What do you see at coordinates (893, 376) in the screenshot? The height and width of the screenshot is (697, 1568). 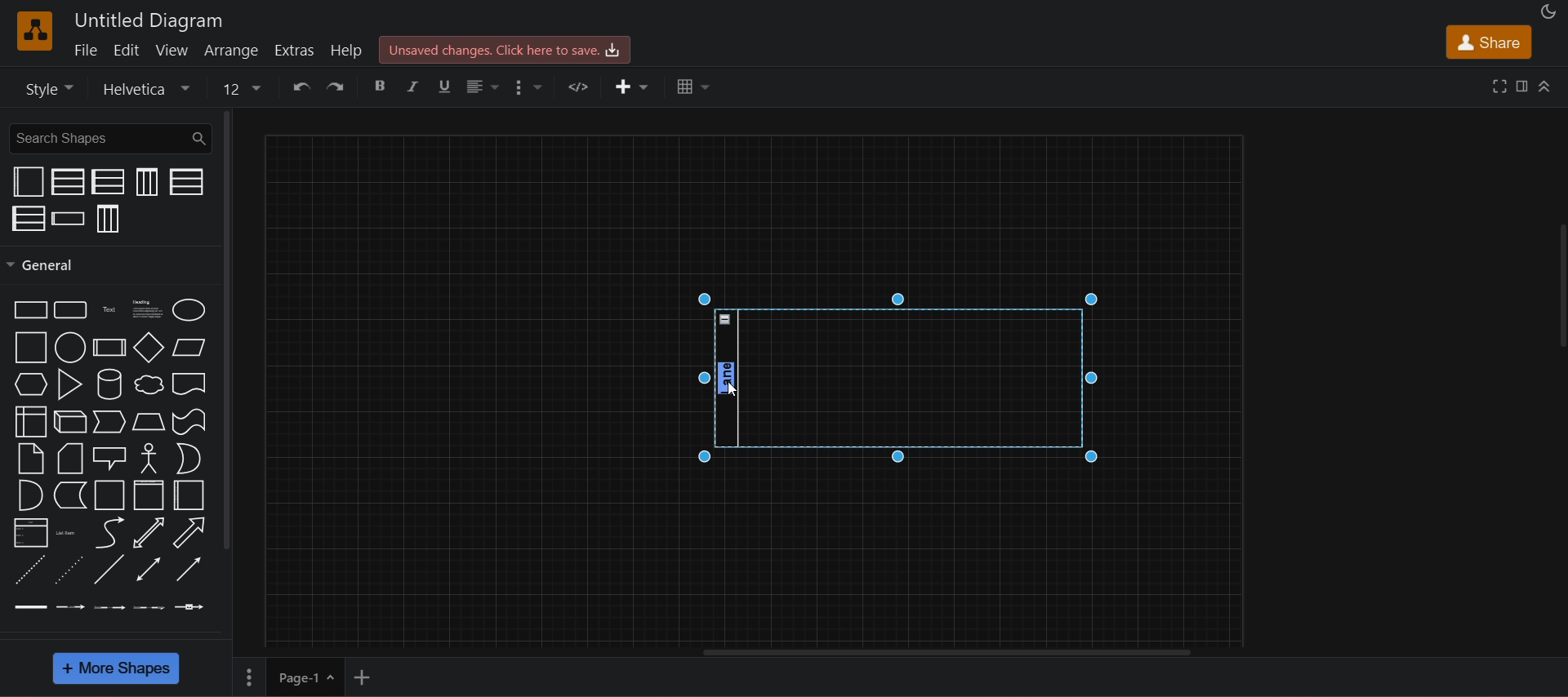 I see `horizontal swim lane` at bounding box center [893, 376].